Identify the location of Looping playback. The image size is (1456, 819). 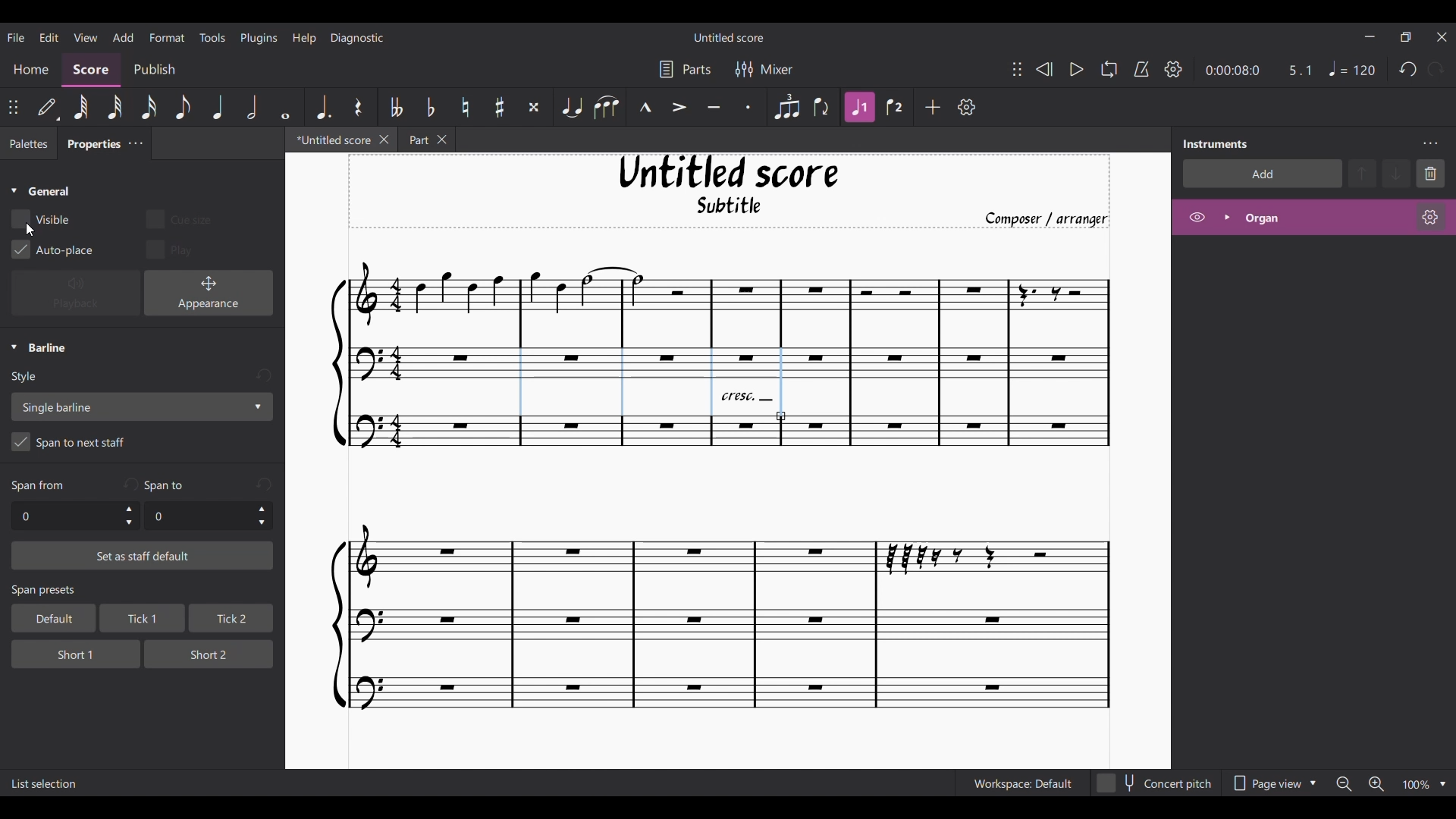
(1108, 69).